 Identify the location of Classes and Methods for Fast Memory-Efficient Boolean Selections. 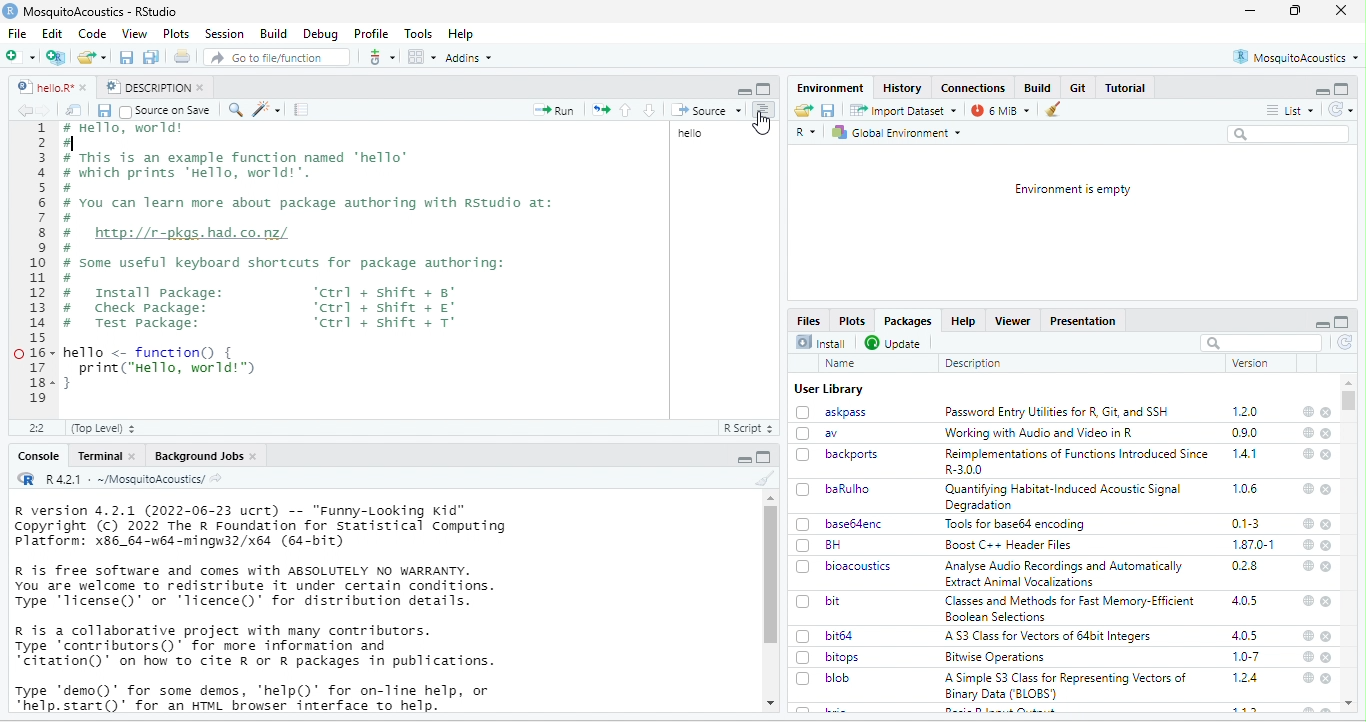
(1069, 608).